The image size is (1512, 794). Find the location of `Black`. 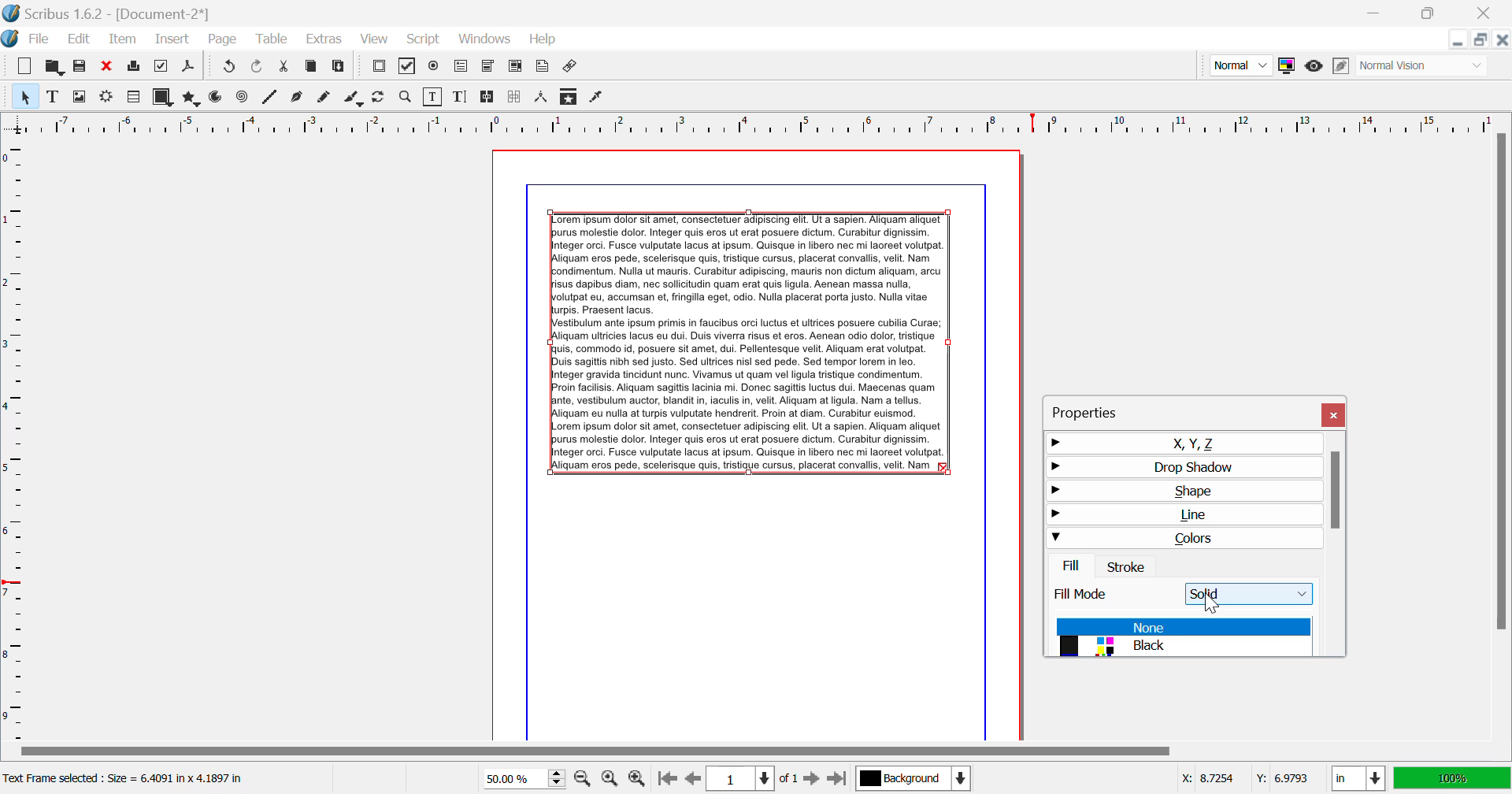

Black is located at coordinates (1184, 647).